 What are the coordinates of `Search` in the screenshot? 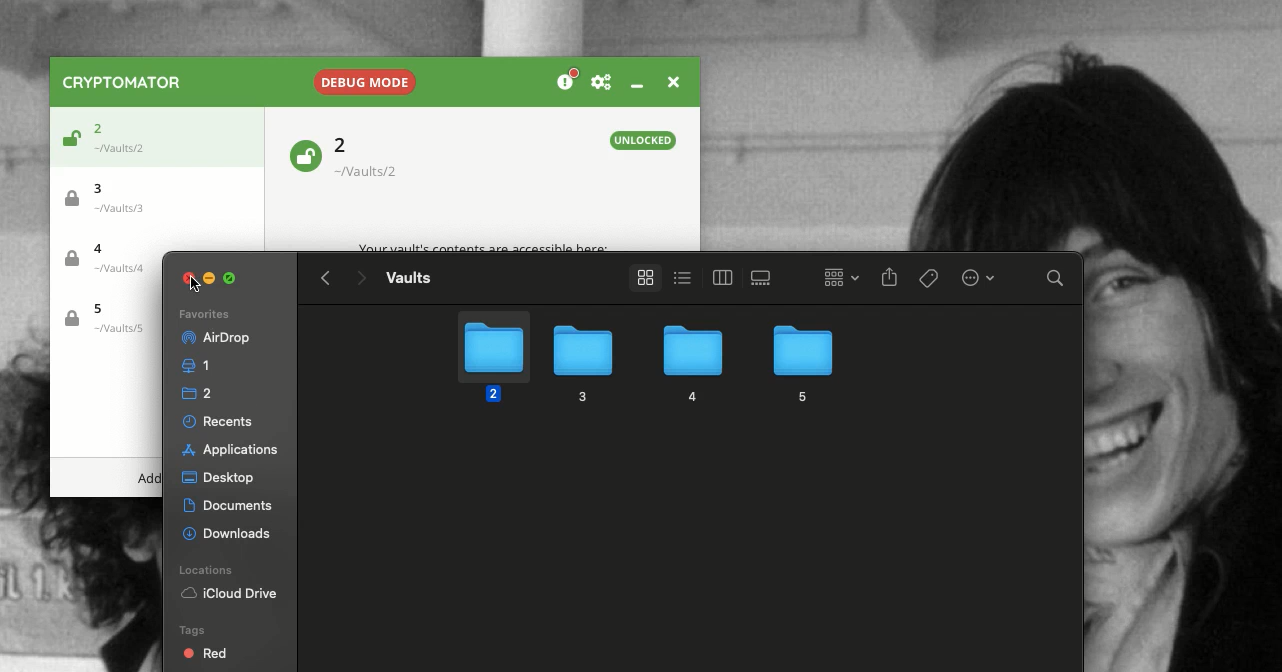 It's located at (1056, 281).